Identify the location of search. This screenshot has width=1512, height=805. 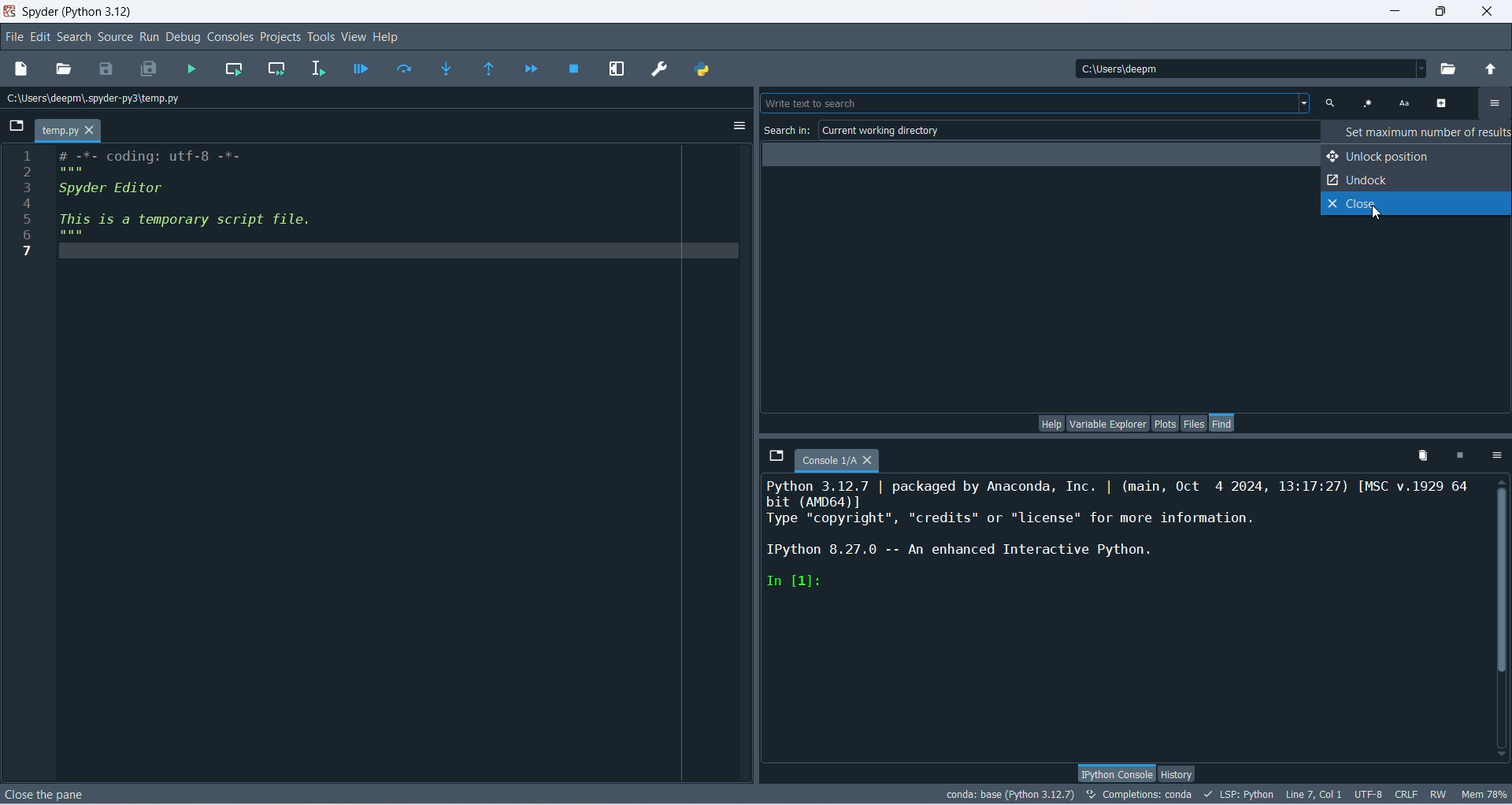
(76, 39).